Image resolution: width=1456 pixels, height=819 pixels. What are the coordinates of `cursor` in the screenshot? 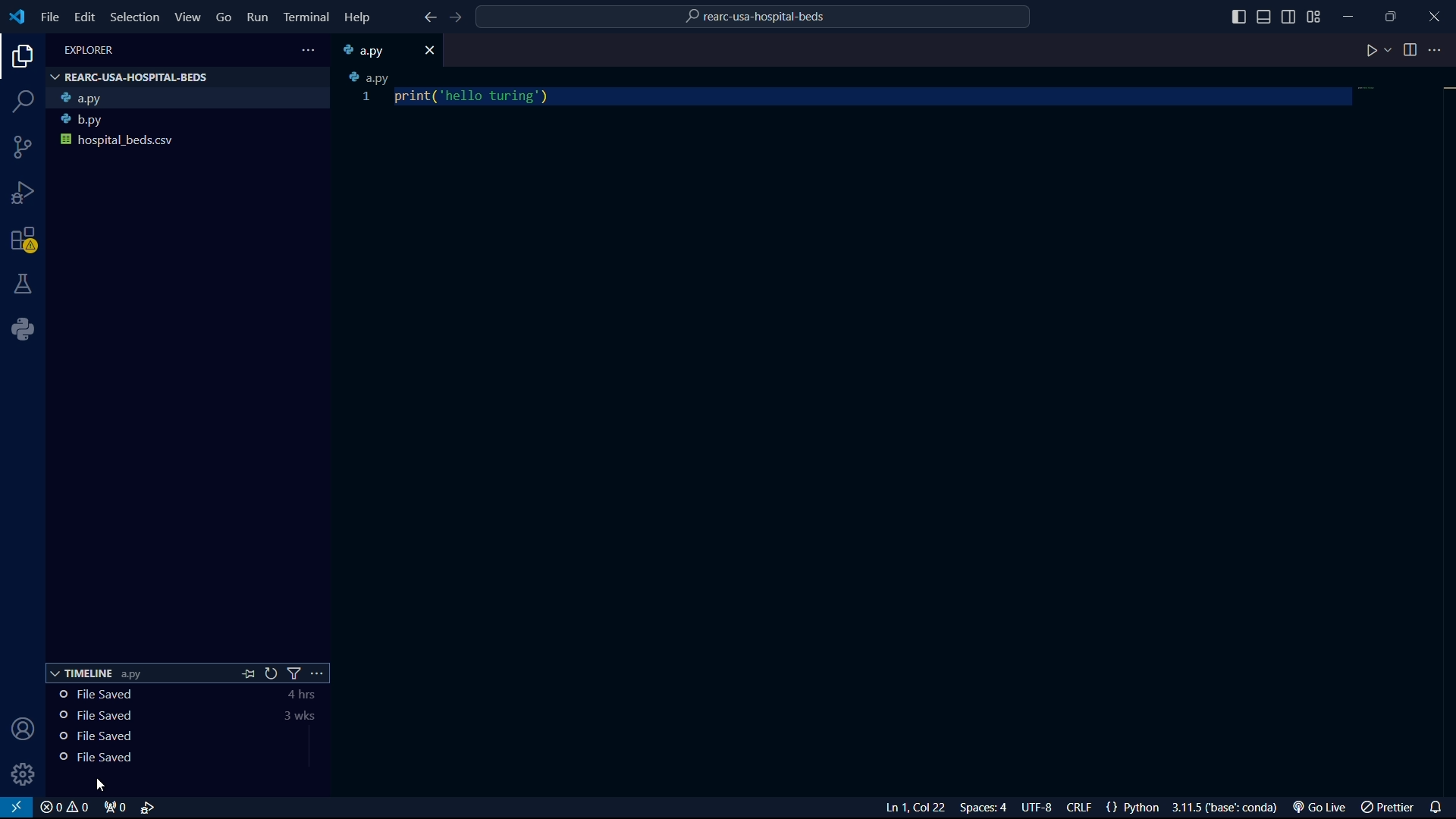 It's located at (102, 784).